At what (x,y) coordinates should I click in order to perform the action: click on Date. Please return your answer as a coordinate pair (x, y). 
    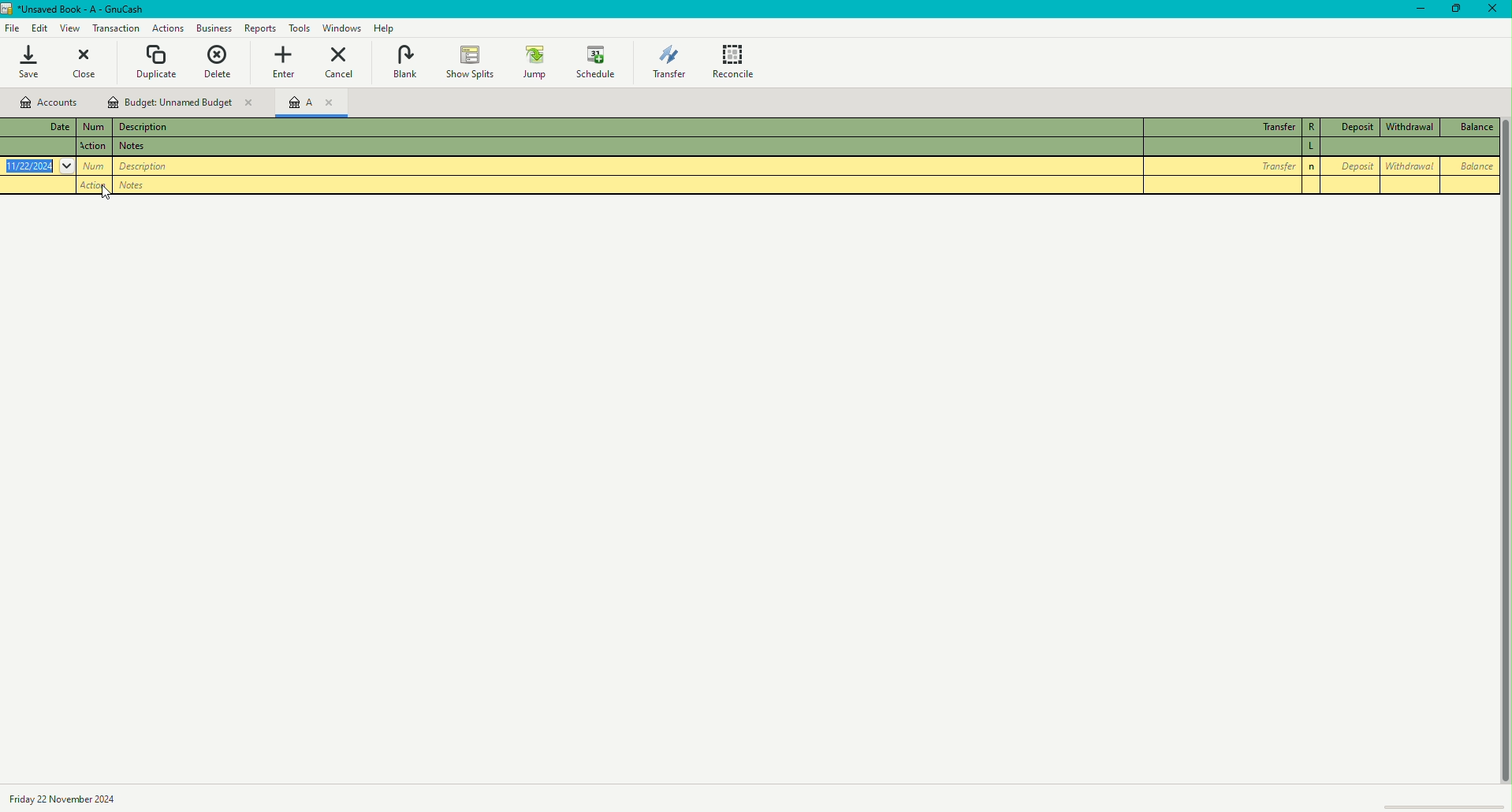
    Looking at the image, I should click on (68, 798).